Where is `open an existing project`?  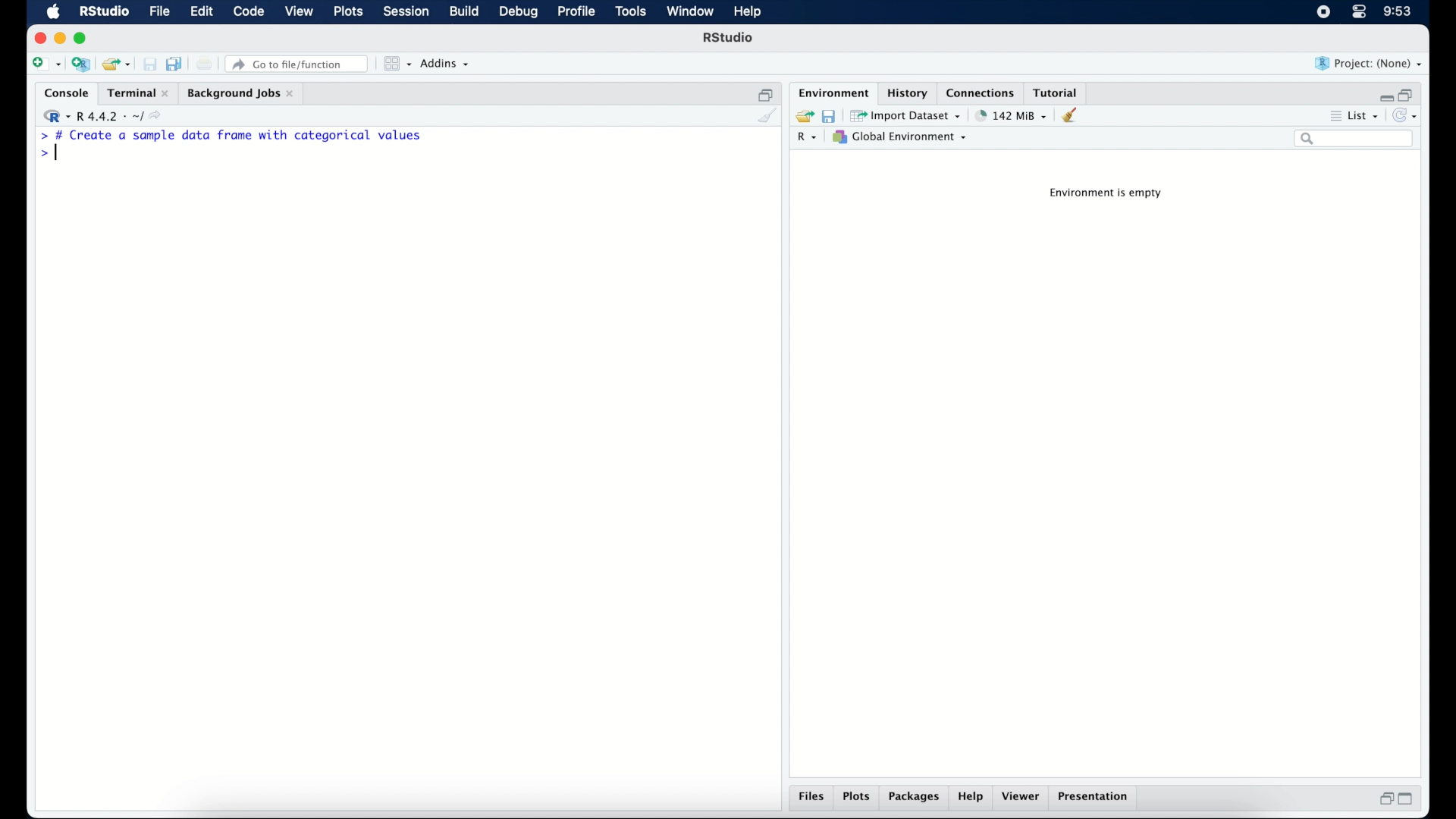 open an existing project is located at coordinates (117, 64).